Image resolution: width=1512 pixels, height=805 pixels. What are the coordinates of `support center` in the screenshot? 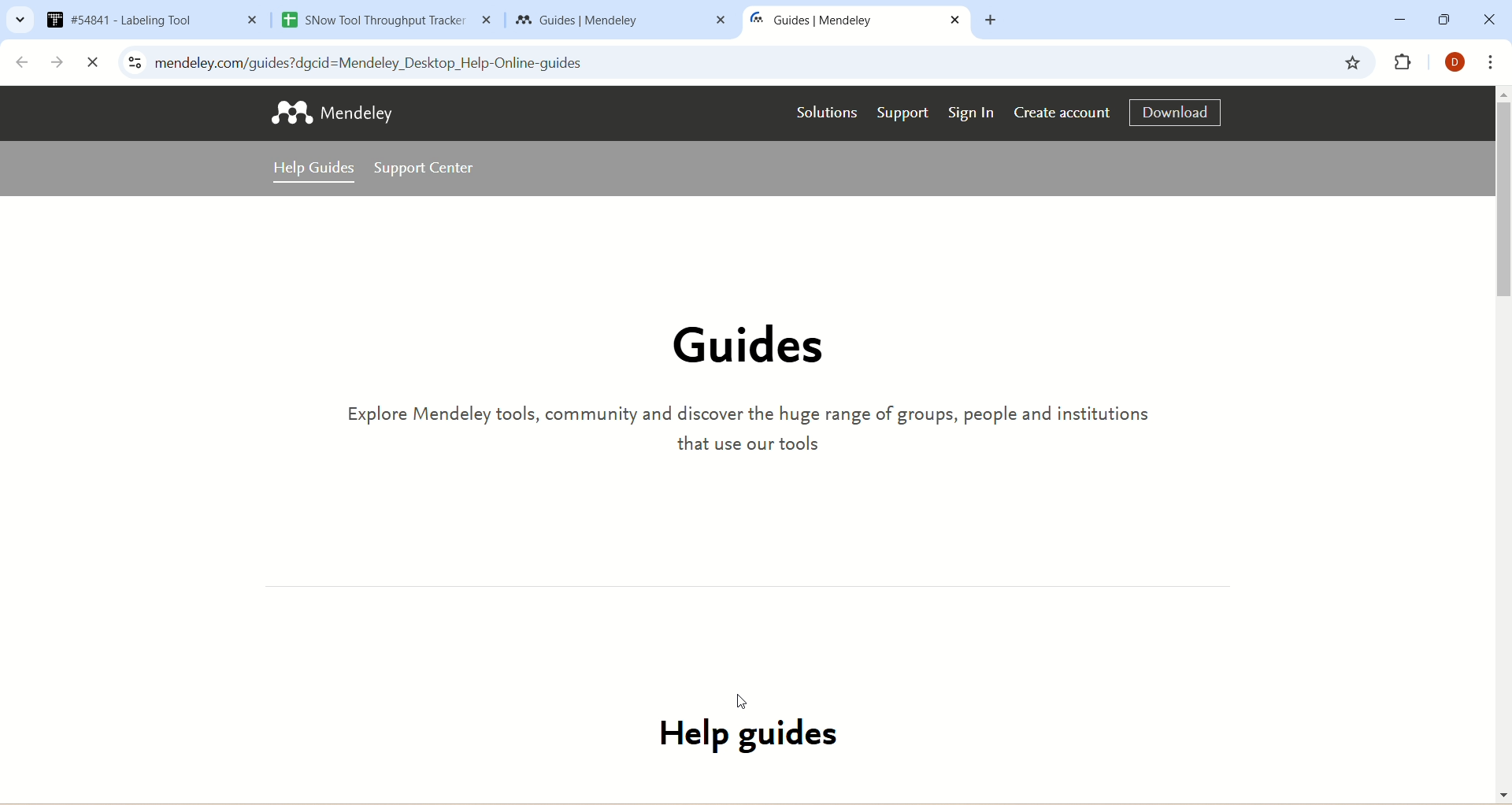 It's located at (424, 171).